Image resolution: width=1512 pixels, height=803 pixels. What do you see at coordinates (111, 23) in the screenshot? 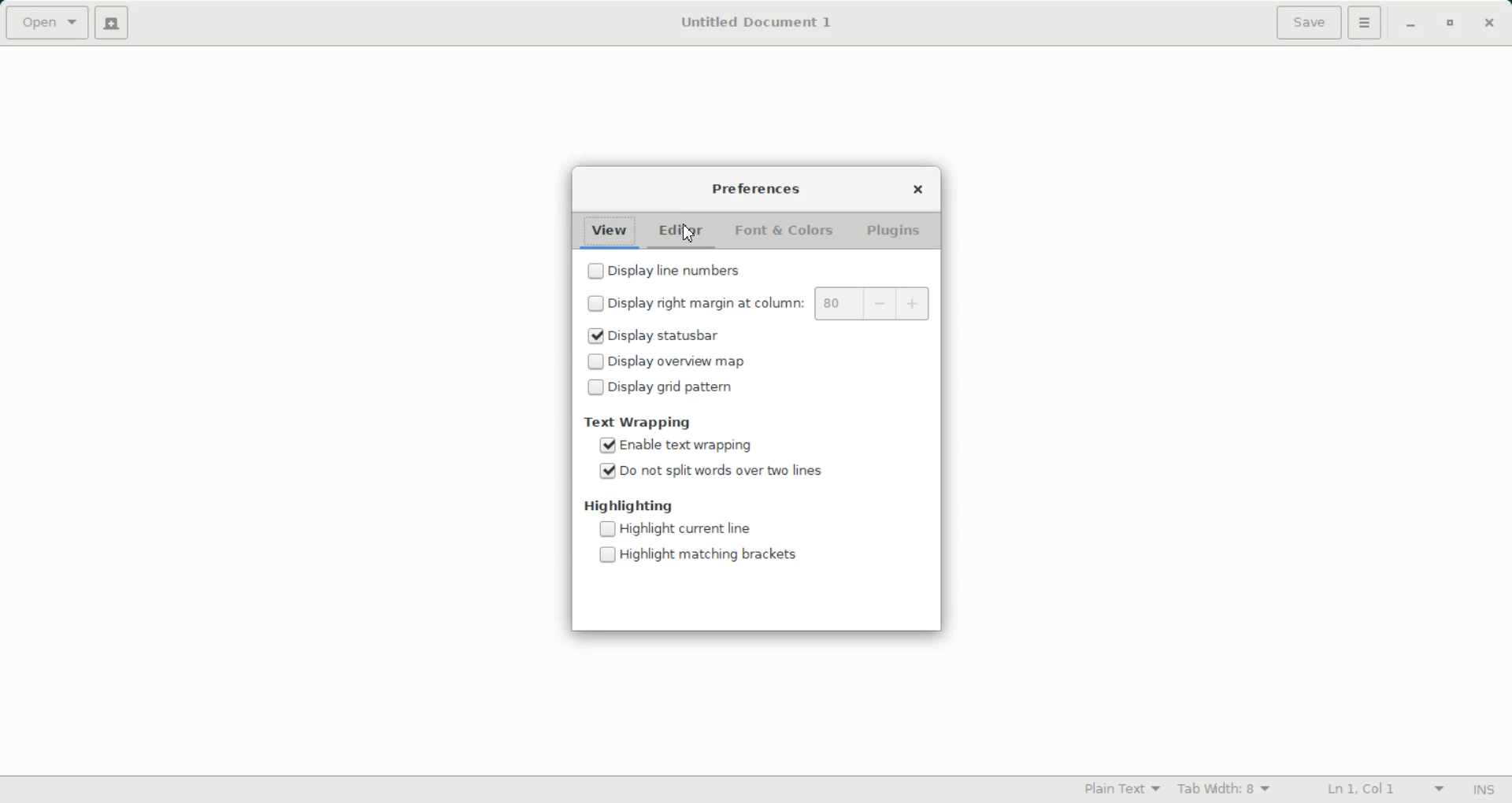
I see `Create a new file` at bounding box center [111, 23].